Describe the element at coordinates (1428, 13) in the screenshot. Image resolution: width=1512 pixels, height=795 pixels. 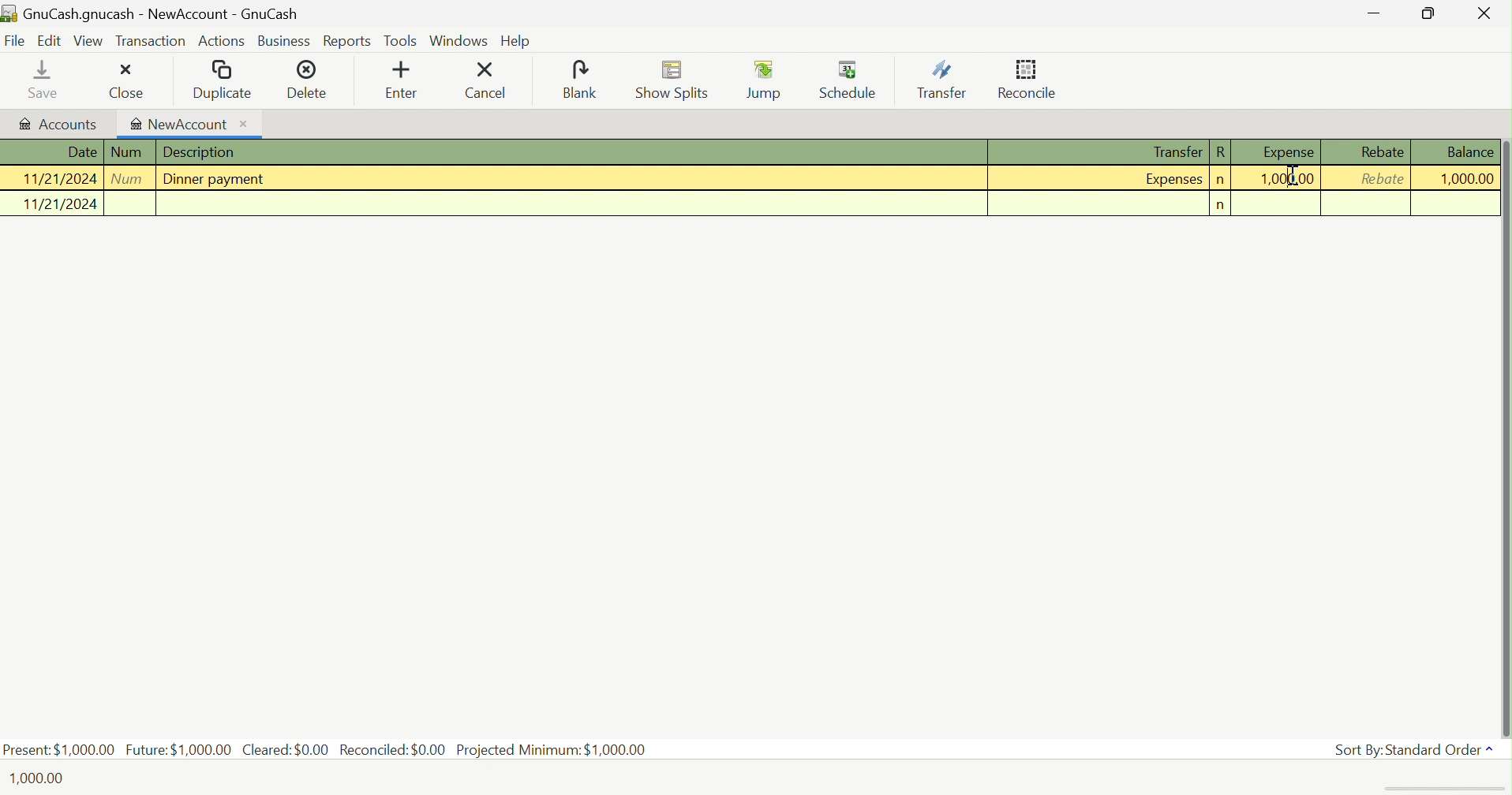
I see `Restore Down` at that location.